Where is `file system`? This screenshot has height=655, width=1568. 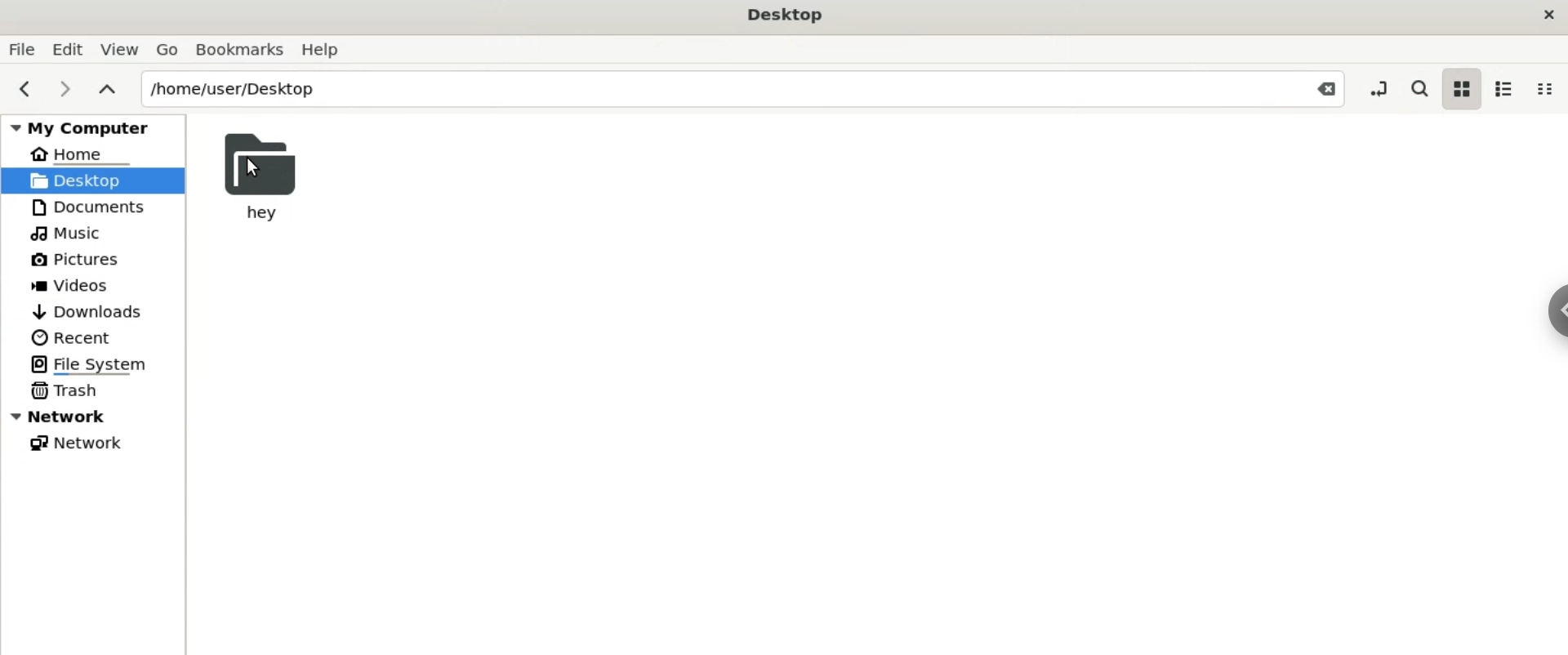 file system is located at coordinates (95, 365).